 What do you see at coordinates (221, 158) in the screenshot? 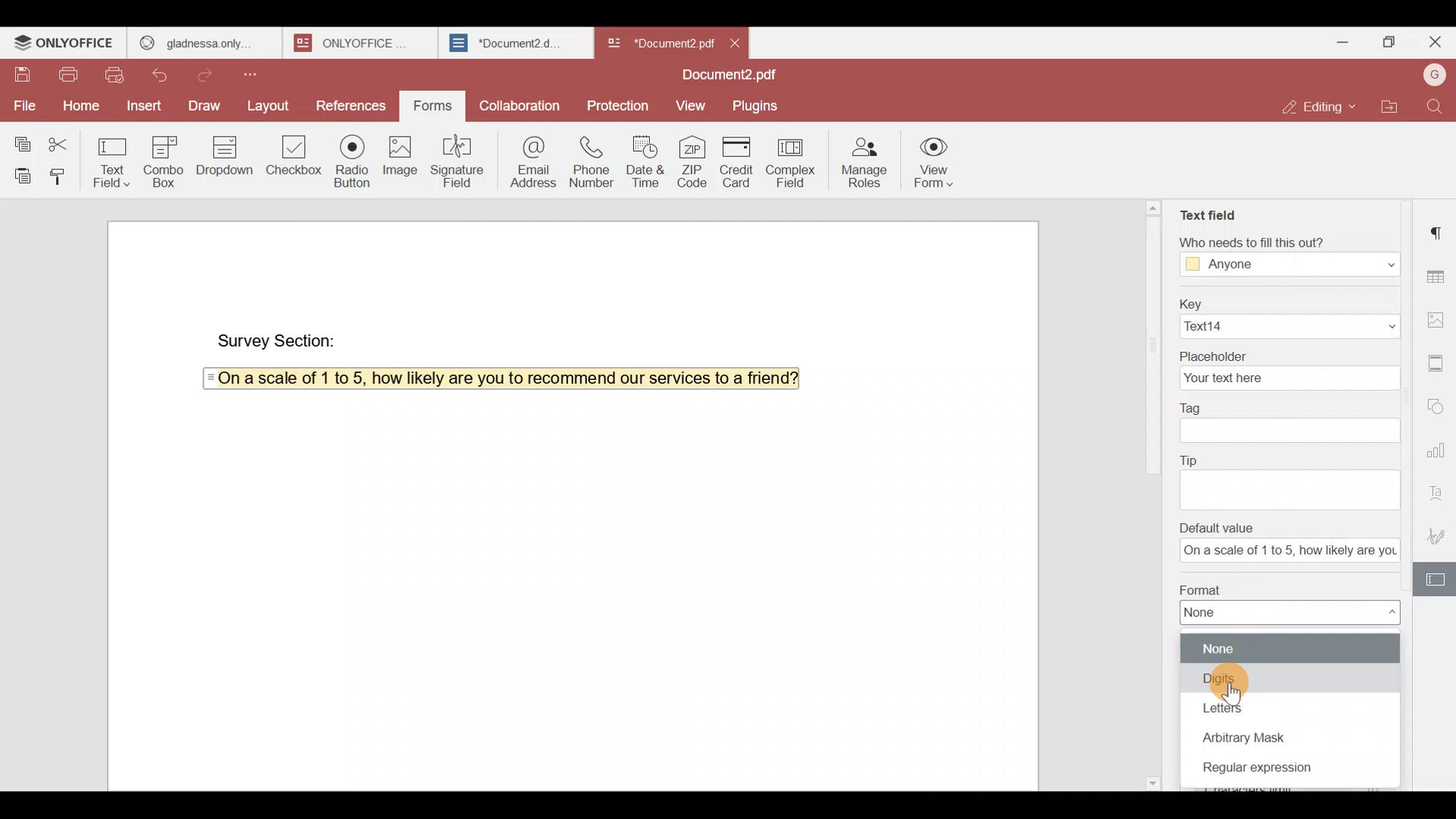
I see `Dropdown` at bounding box center [221, 158].